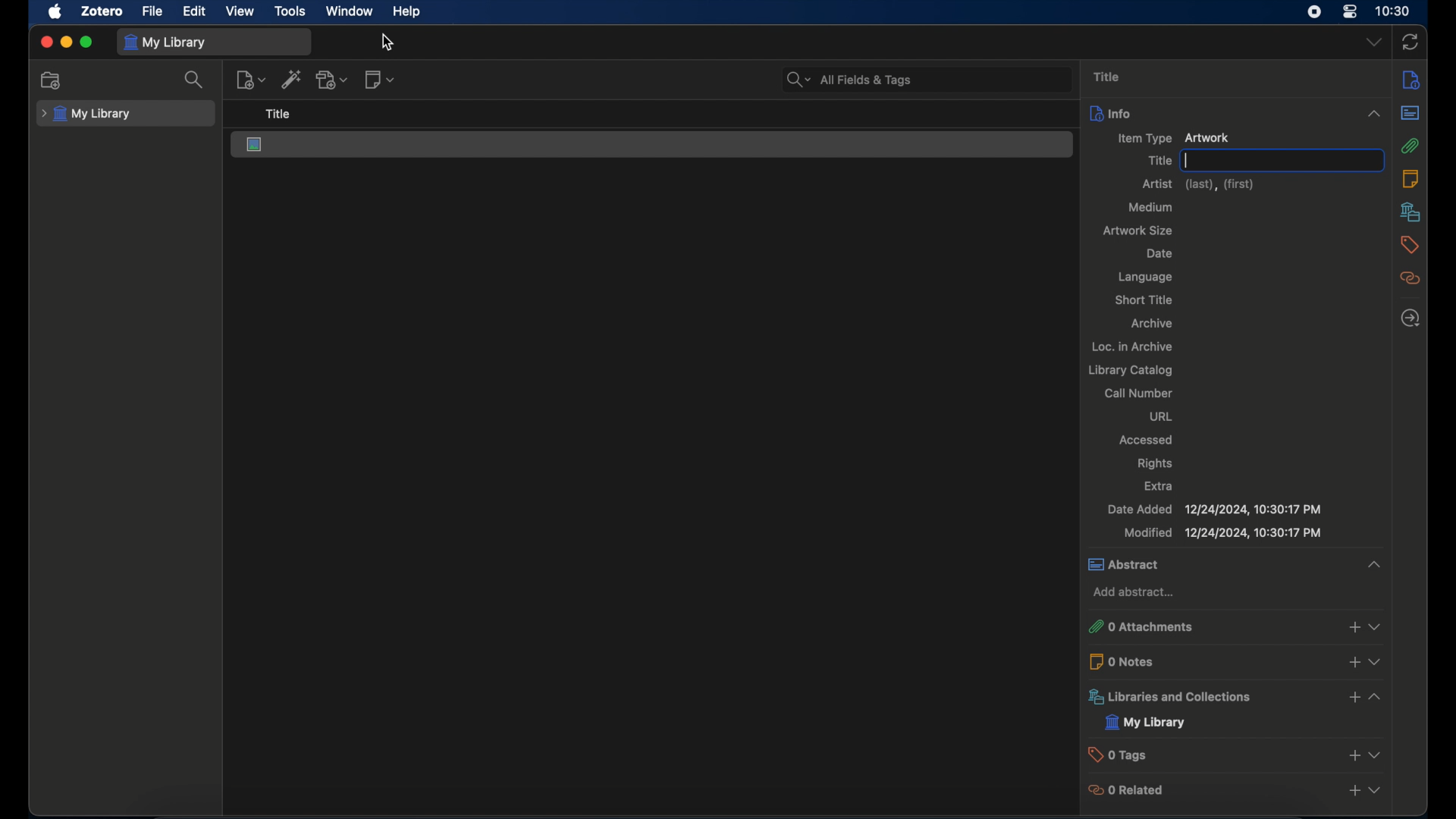 This screenshot has width=1456, height=819. What do you see at coordinates (1174, 139) in the screenshot?
I see `new item artwork` at bounding box center [1174, 139].